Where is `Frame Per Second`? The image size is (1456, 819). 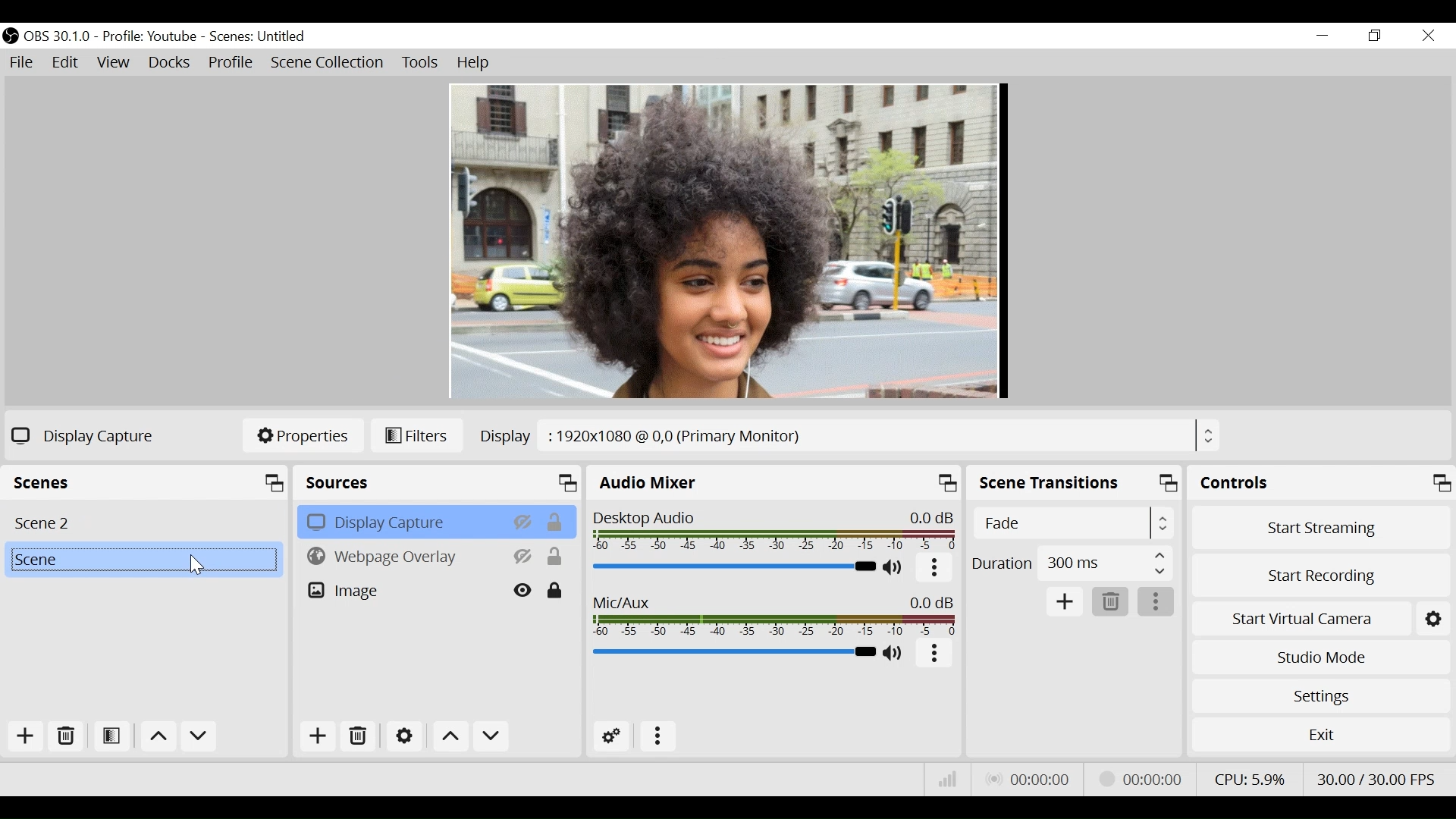 Frame Per Second is located at coordinates (1376, 778).